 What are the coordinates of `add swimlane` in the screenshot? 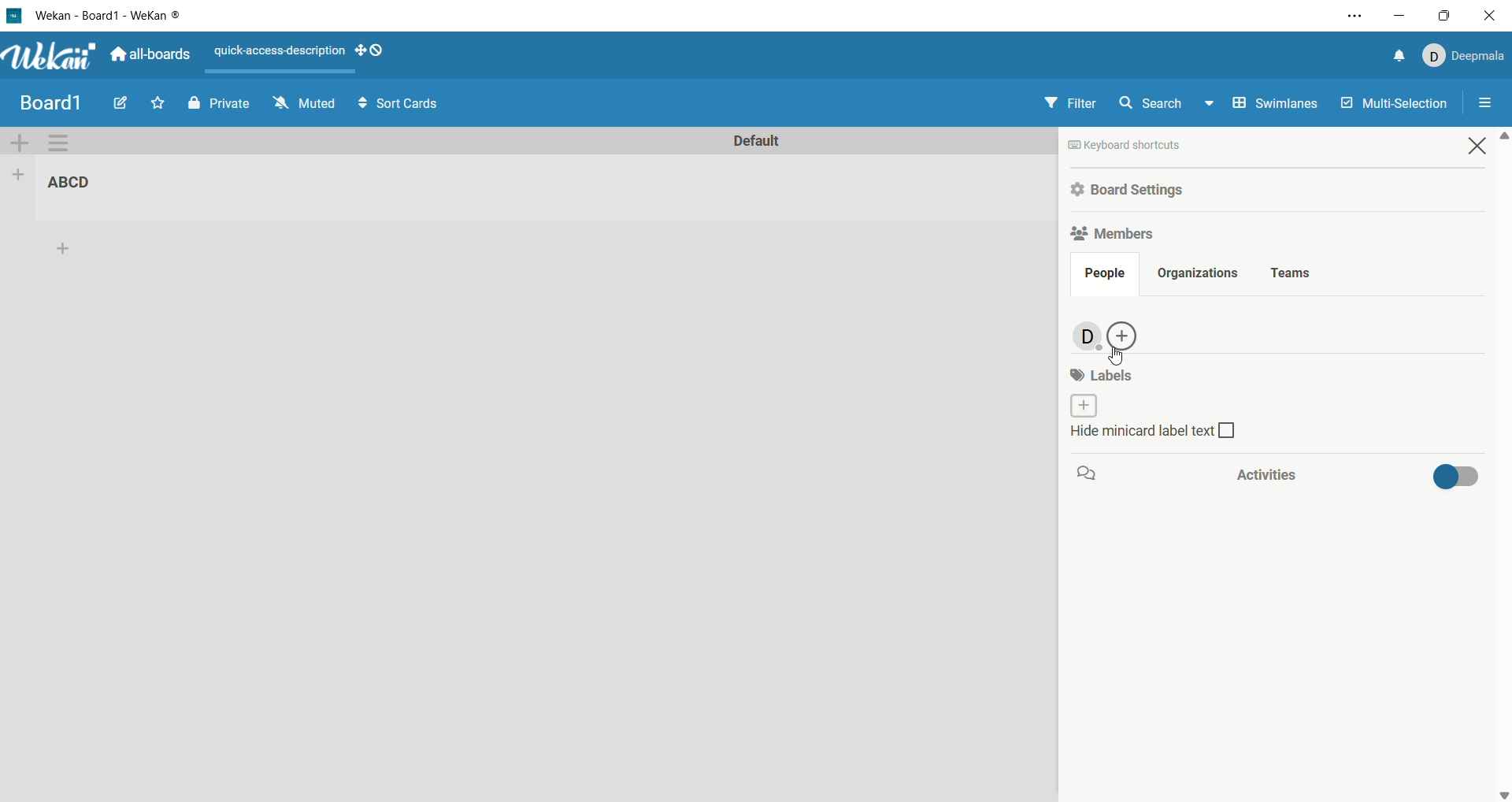 It's located at (20, 144).